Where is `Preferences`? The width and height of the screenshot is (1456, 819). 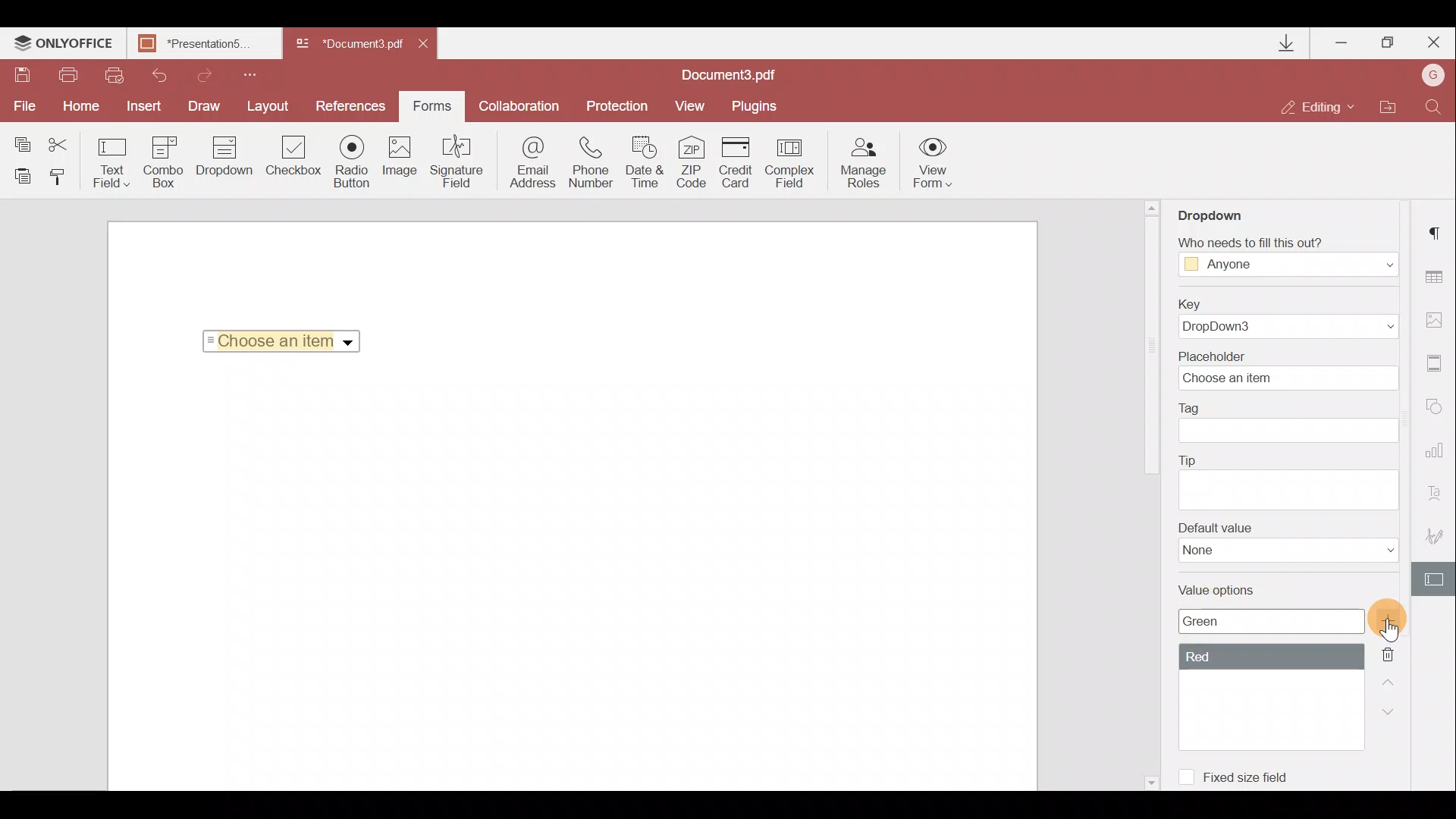
Preferences is located at coordinates (352, 106).